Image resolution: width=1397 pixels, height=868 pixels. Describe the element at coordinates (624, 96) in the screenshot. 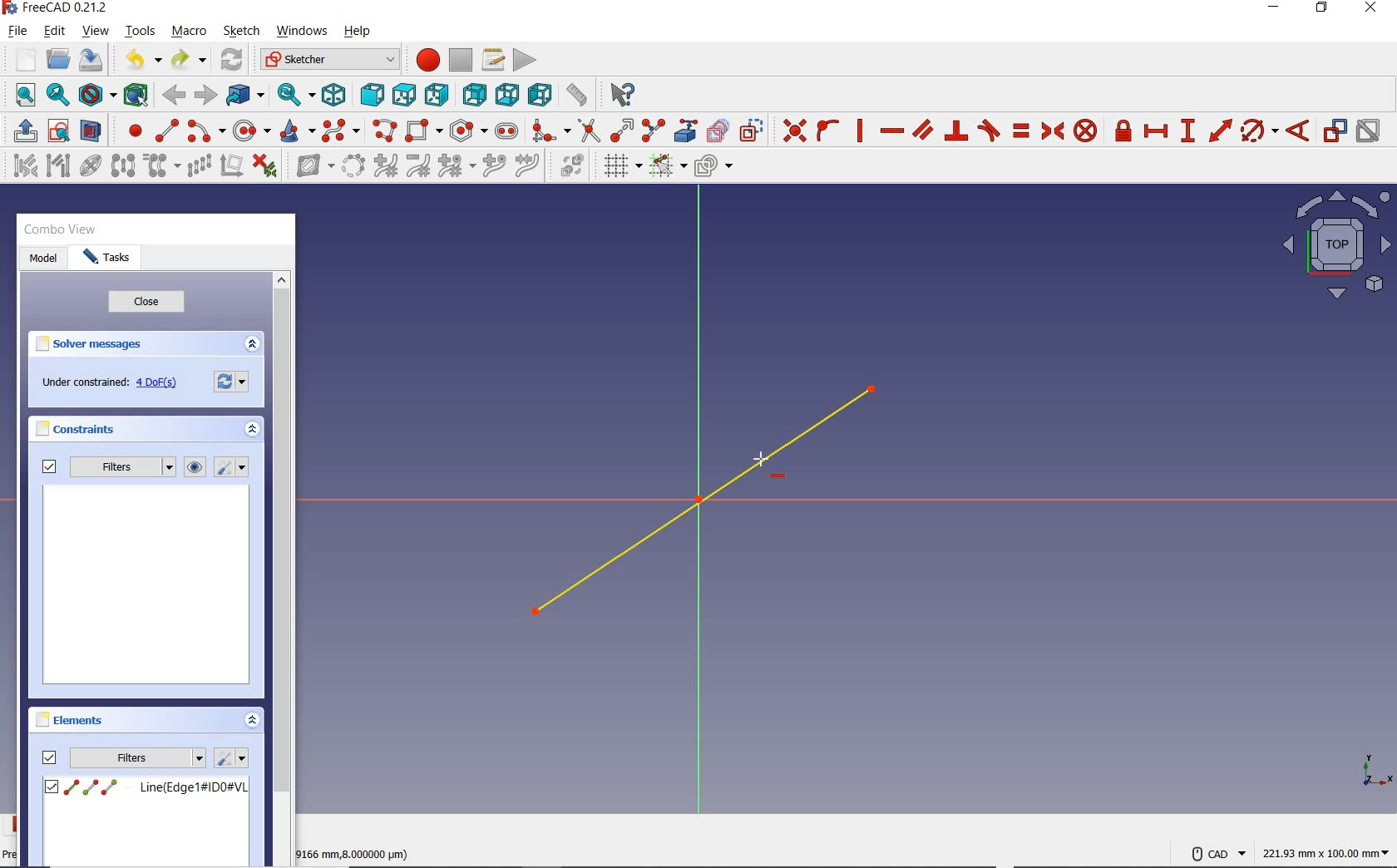

I see `WHAT'S THIS?` at that location.